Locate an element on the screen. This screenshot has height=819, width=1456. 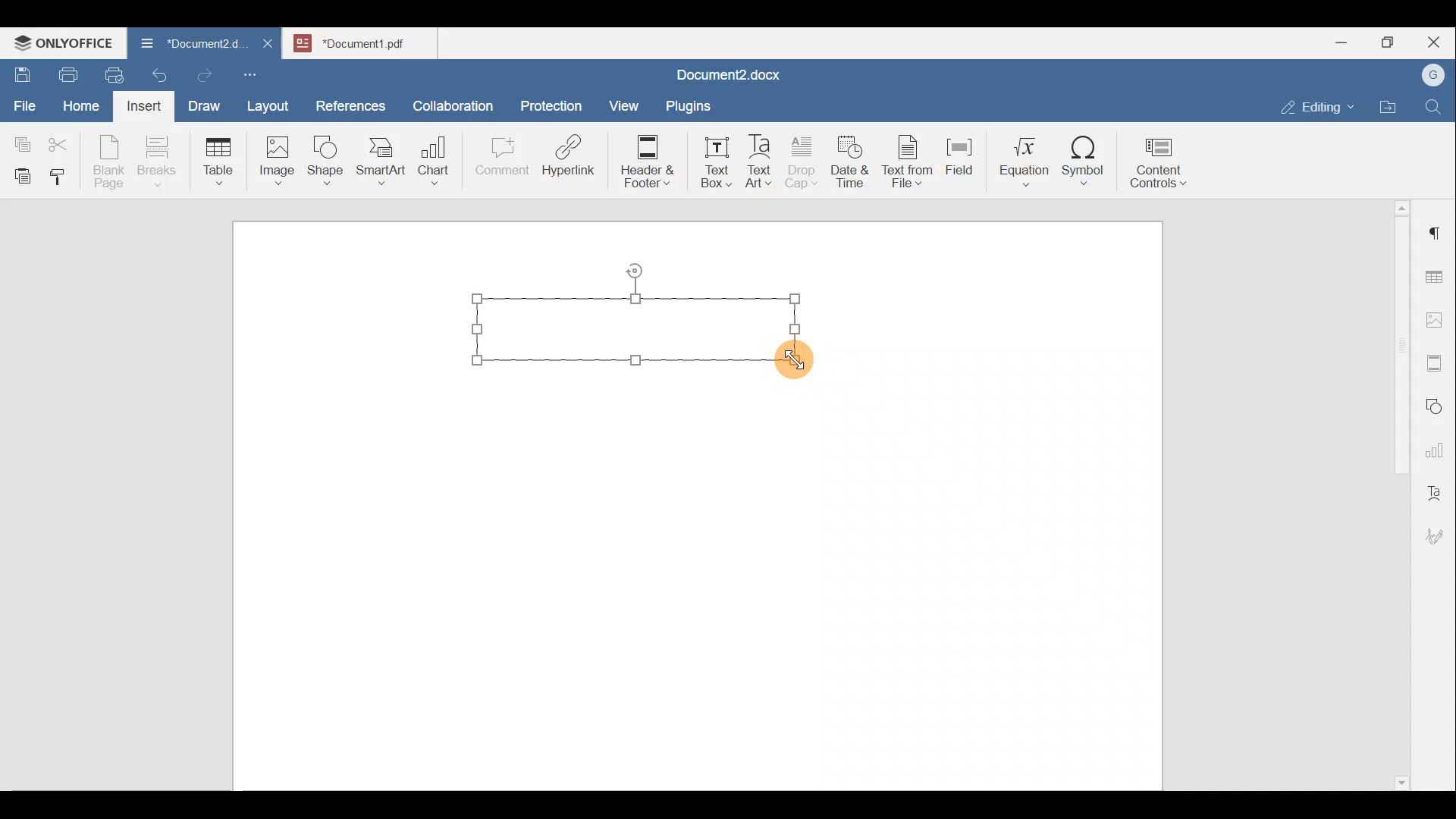
Undo is located at coordinates (156, 73).